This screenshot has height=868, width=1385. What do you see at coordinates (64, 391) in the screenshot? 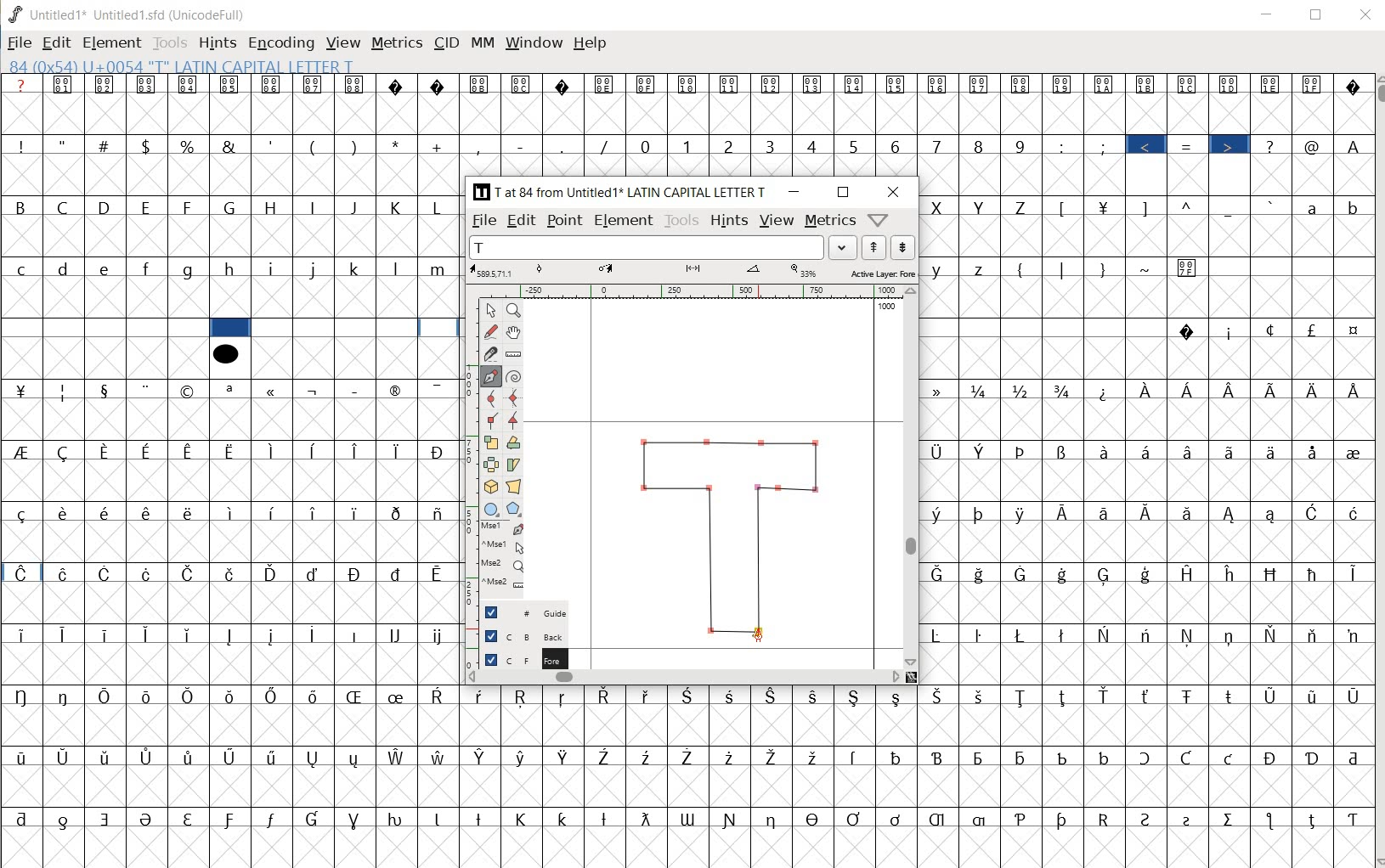
I see `Symbol` at bounding box center [64, 391].